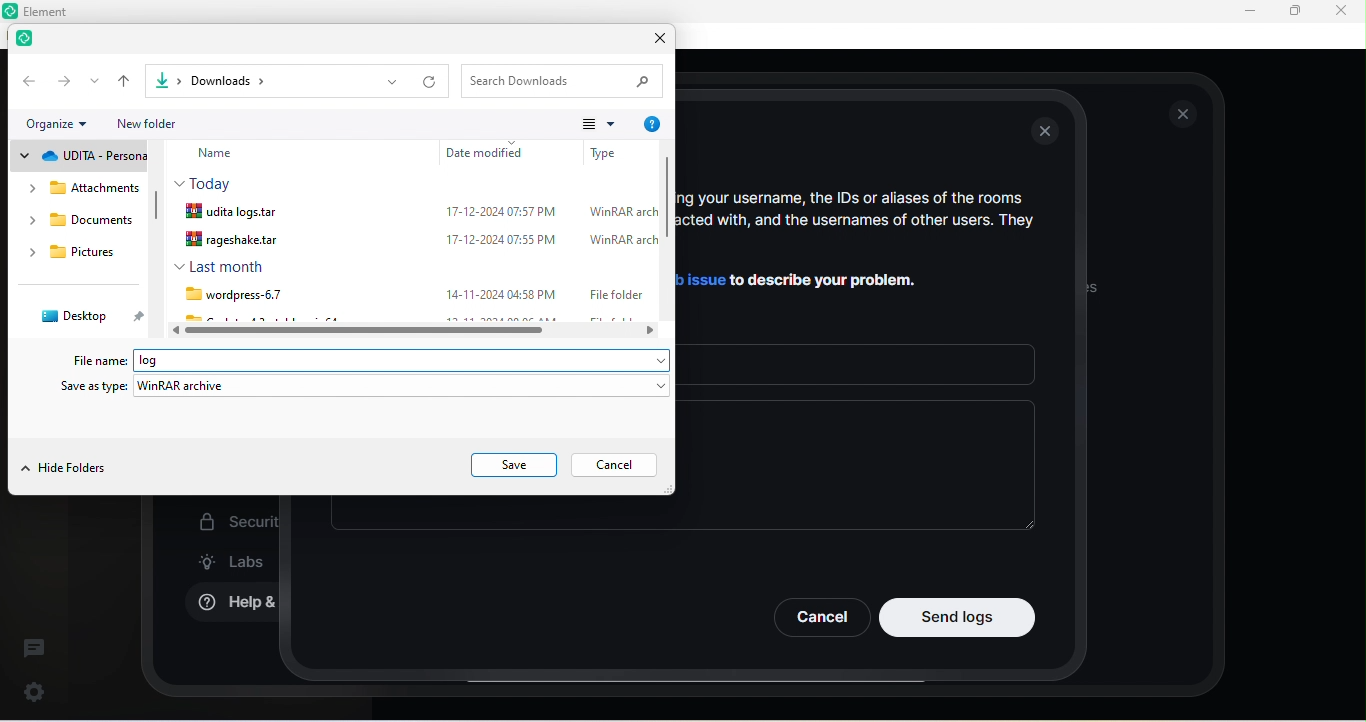 This screenshot has width=1366, height=722. What do you see at coordinates (391, 82) in the screenshot?
I see `drop down` at bounding box center [391, 82].